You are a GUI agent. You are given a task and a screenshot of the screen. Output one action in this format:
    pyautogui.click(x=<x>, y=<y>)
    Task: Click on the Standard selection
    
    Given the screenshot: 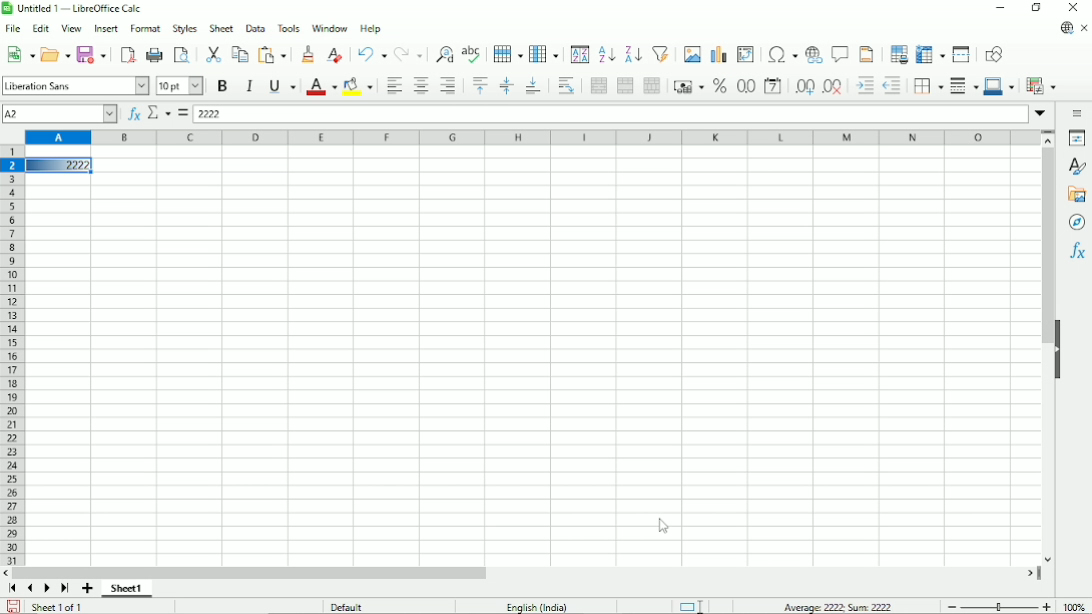 What is the action you would take?
    pyautogui.click(x=690, y=605)
    